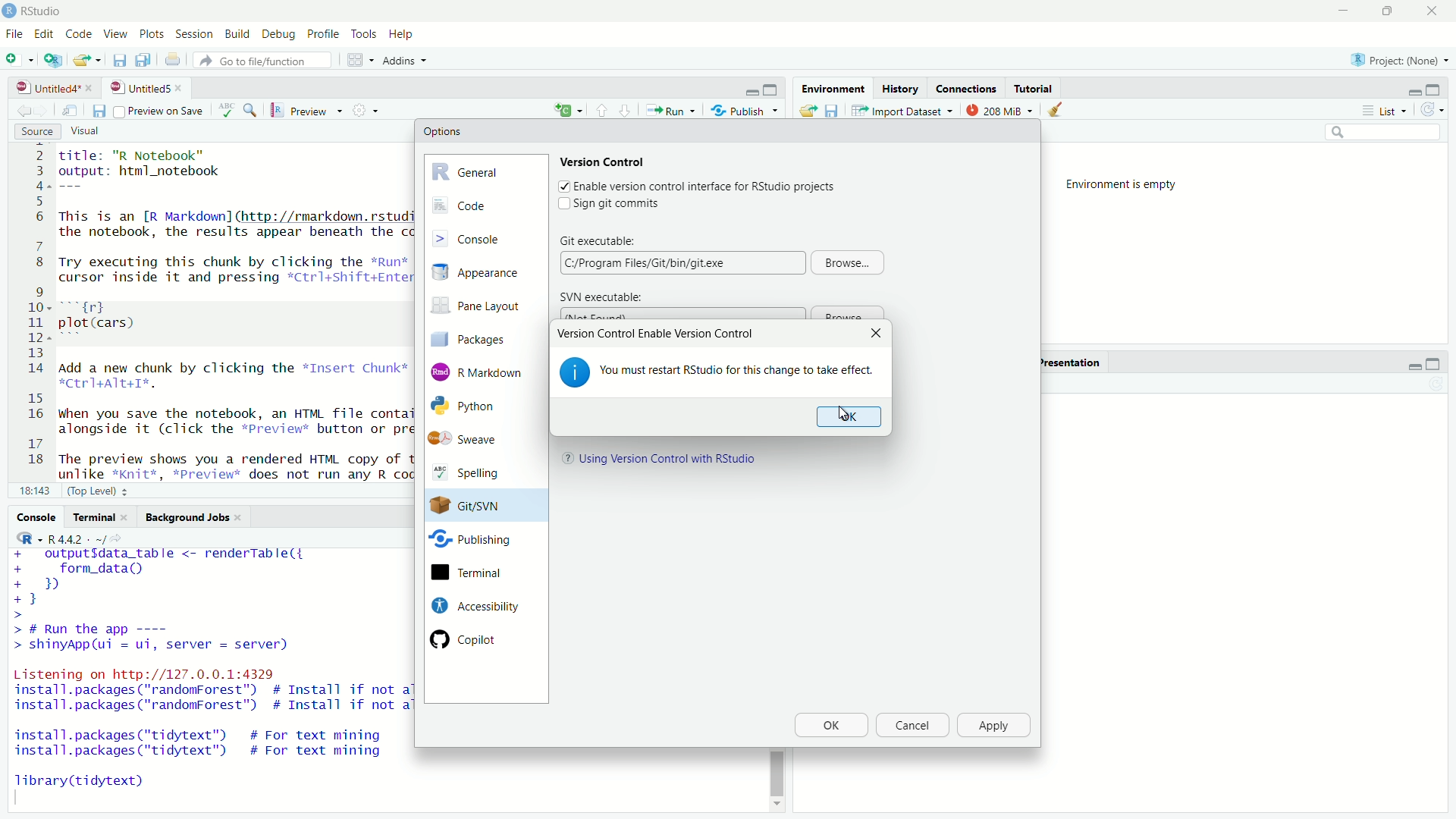 The width and height of the screenshot is (1456, 819). Describe the element at coordinates (655, 334) in the screenshot. I see `Version Control Enable Version Control` at that location.